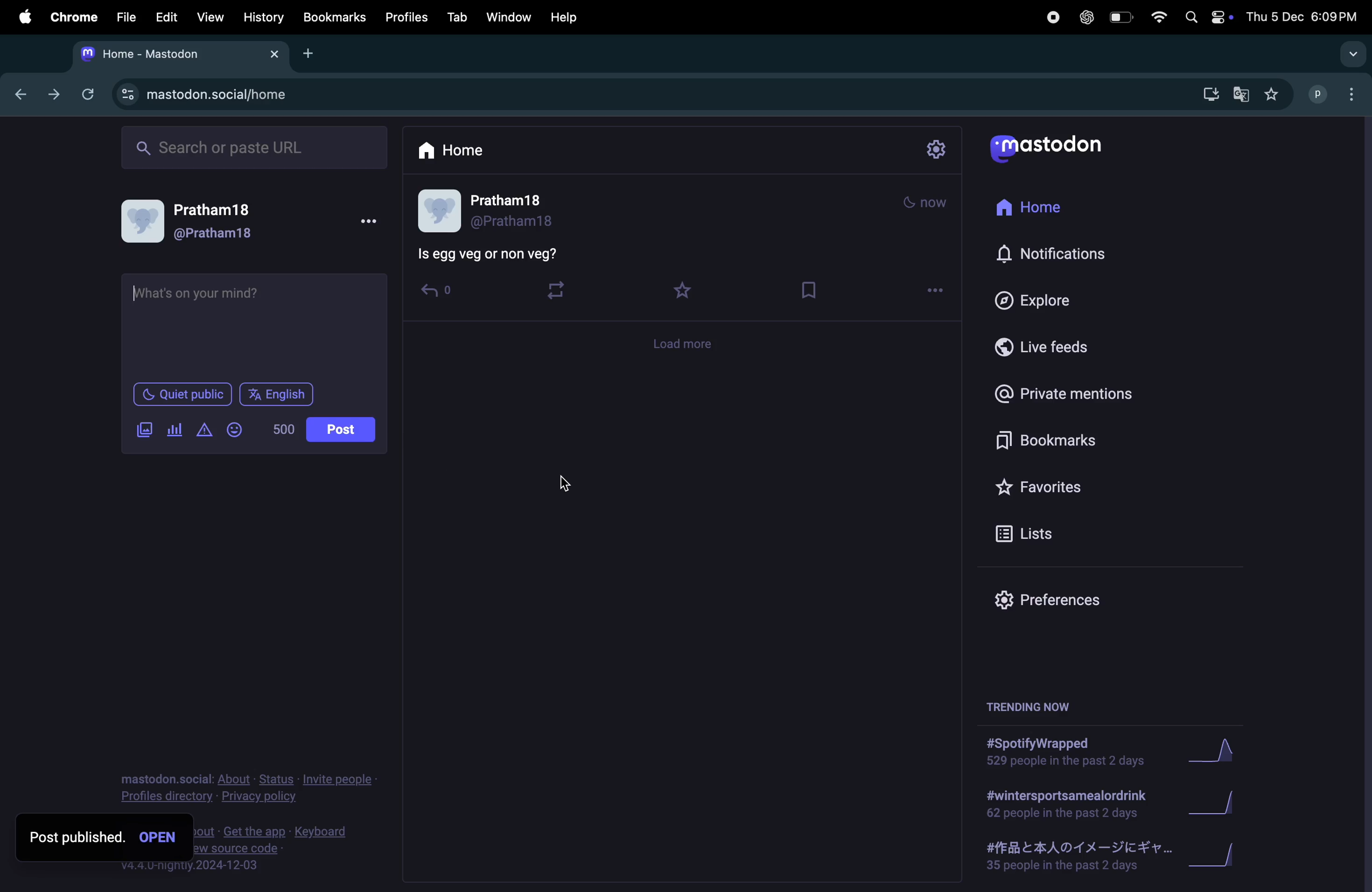 The height and width of the screenshot is (892, 1372). Describe the element at coordinates (1061, 440) in the screenshot. I see `Bookmarks` at that location.